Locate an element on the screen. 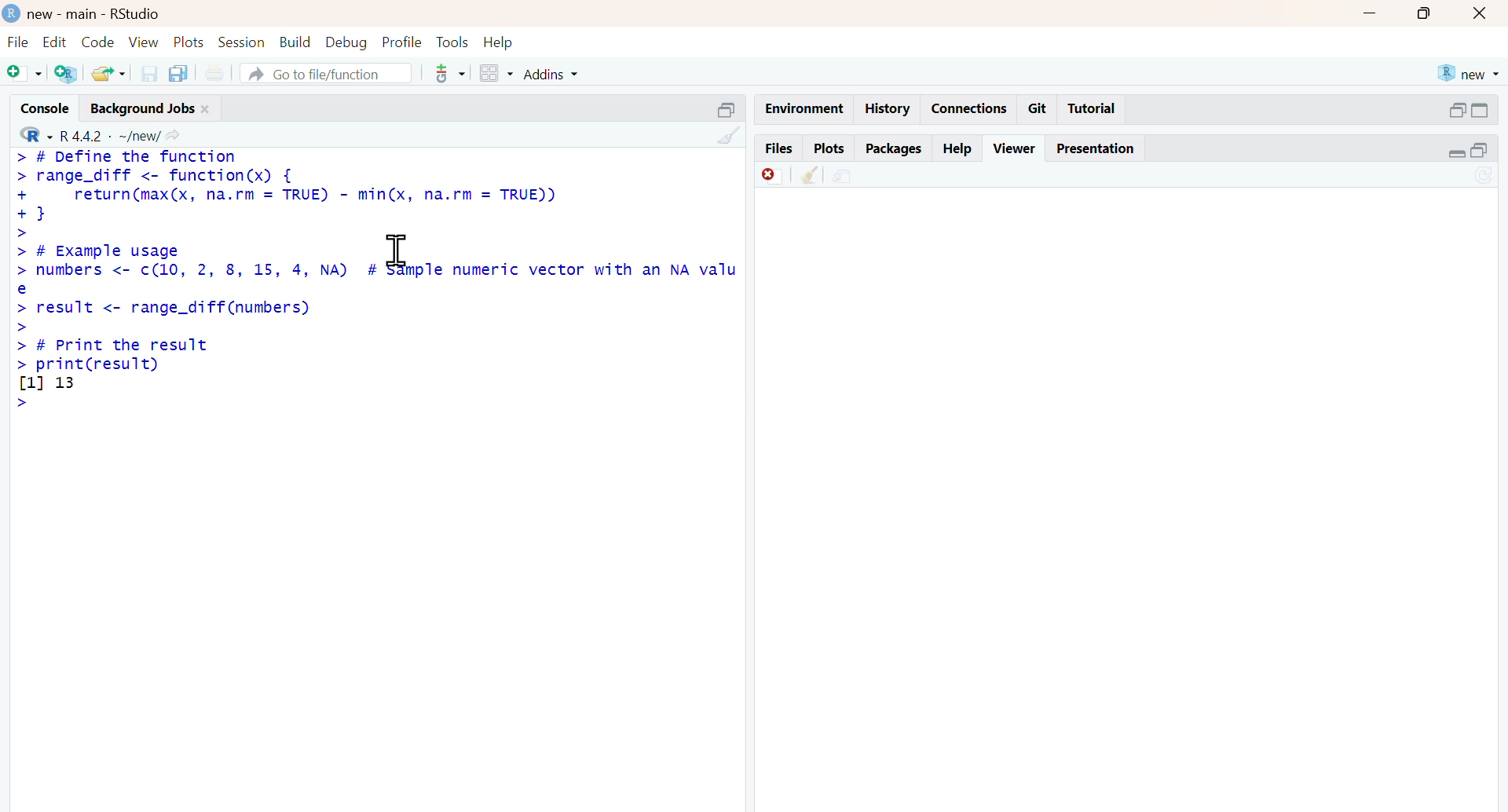 The width and height of the screenshot is (1508, 812). debug is located at coordinates (347, 43).